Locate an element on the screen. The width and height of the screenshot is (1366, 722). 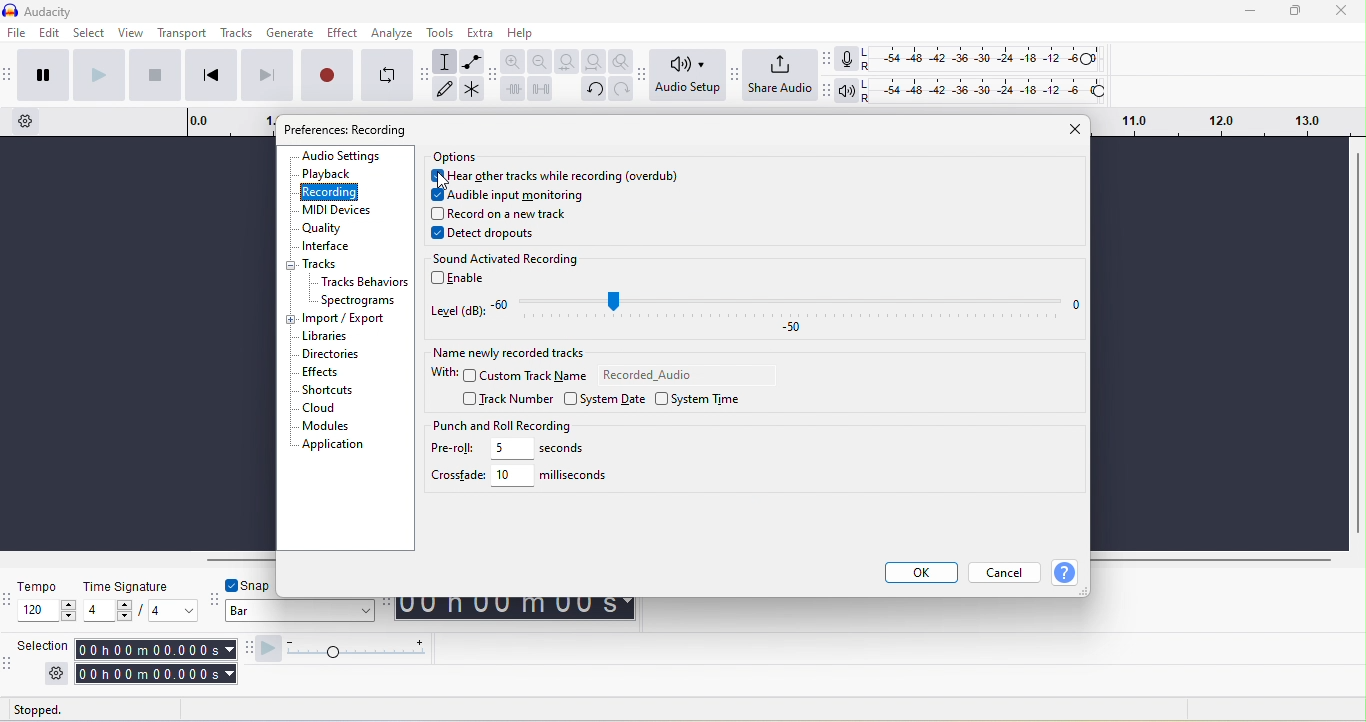
maximize is located at coordinates (1290, 12).